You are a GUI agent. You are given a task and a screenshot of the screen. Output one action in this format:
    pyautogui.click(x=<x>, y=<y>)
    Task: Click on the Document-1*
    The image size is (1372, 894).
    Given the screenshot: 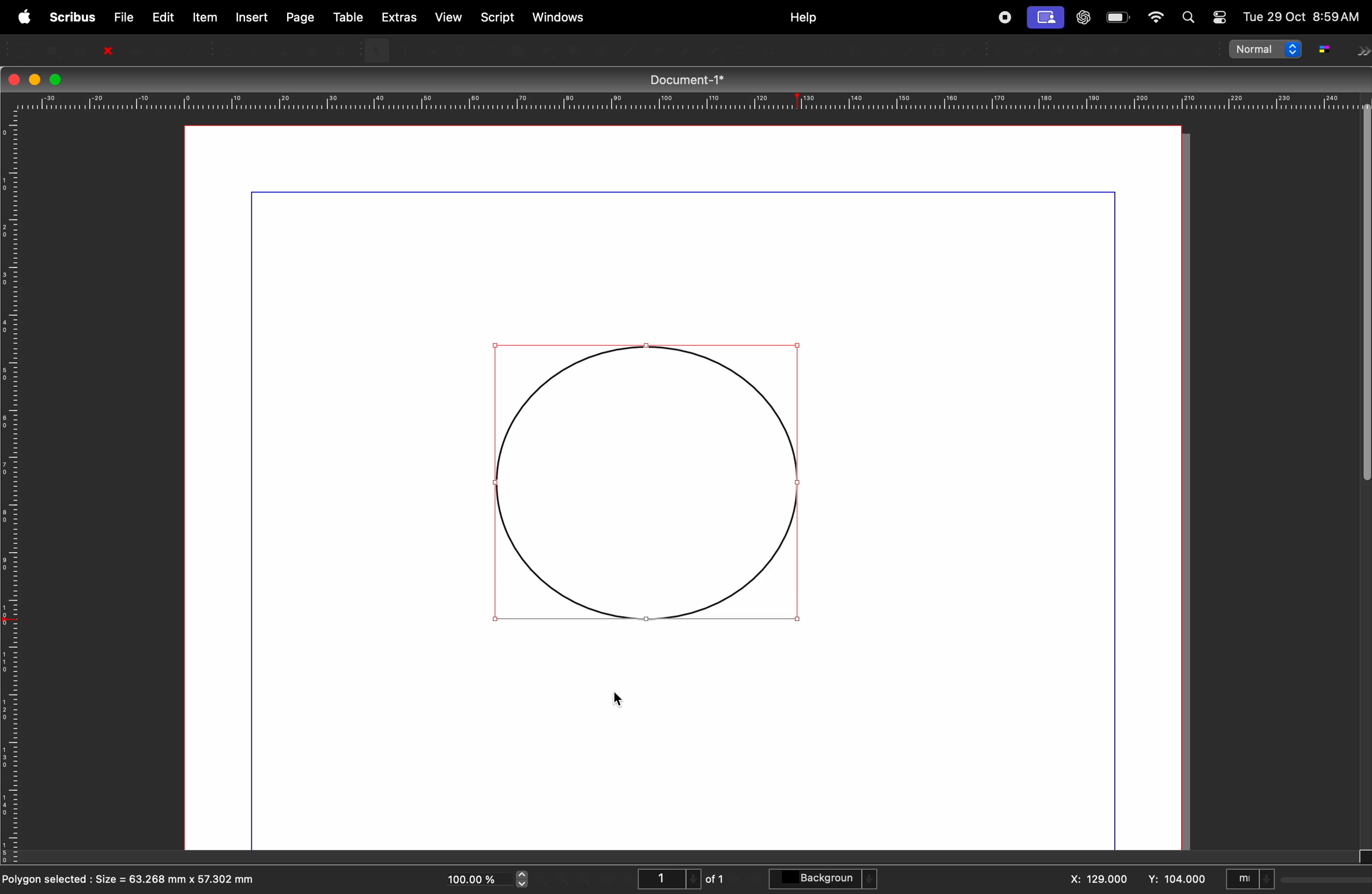 What is the action you would take?
    pyautogui.click(x=694, y=79)
    